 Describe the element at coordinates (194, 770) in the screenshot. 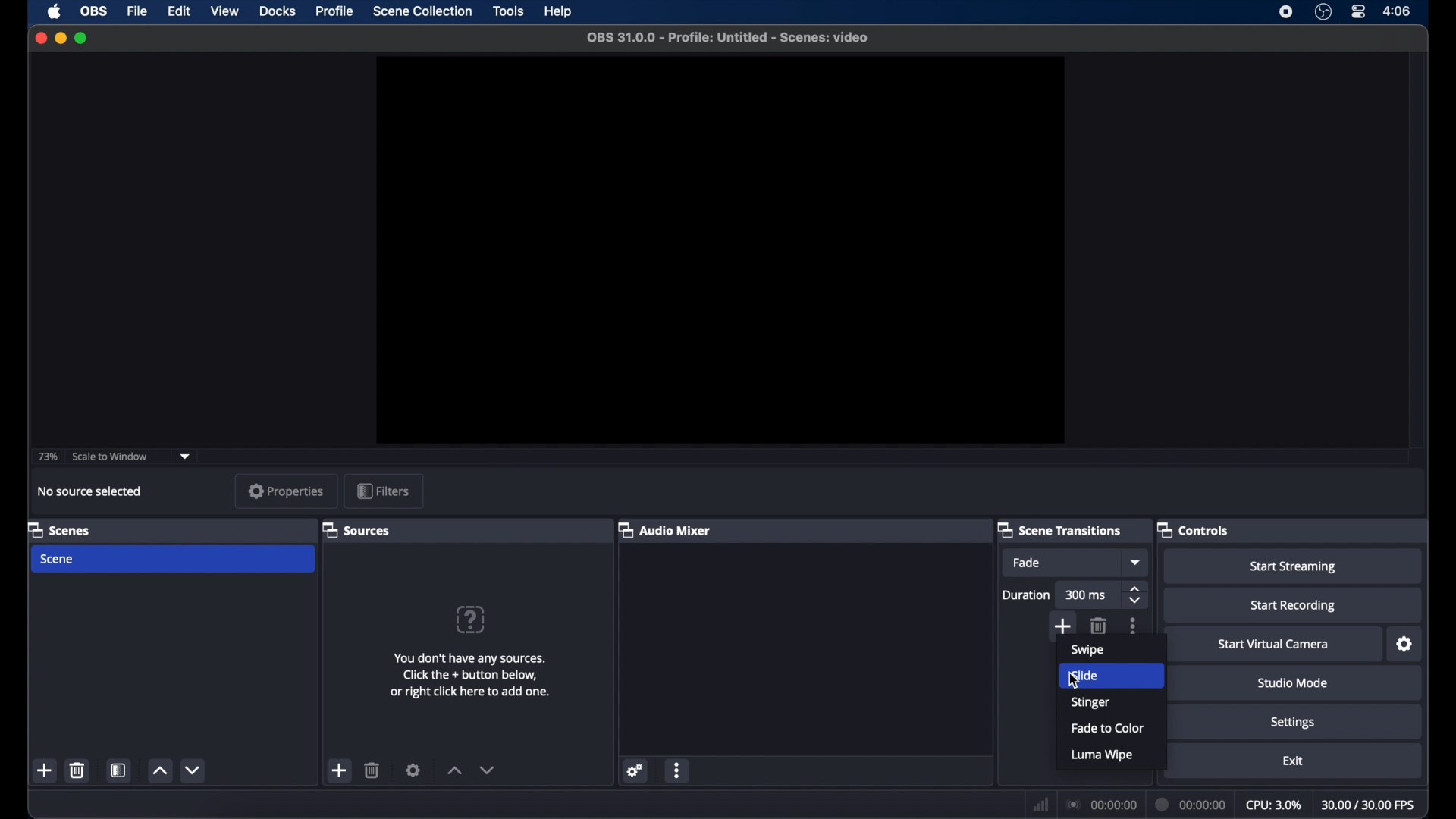

I see `decrement` at that location.